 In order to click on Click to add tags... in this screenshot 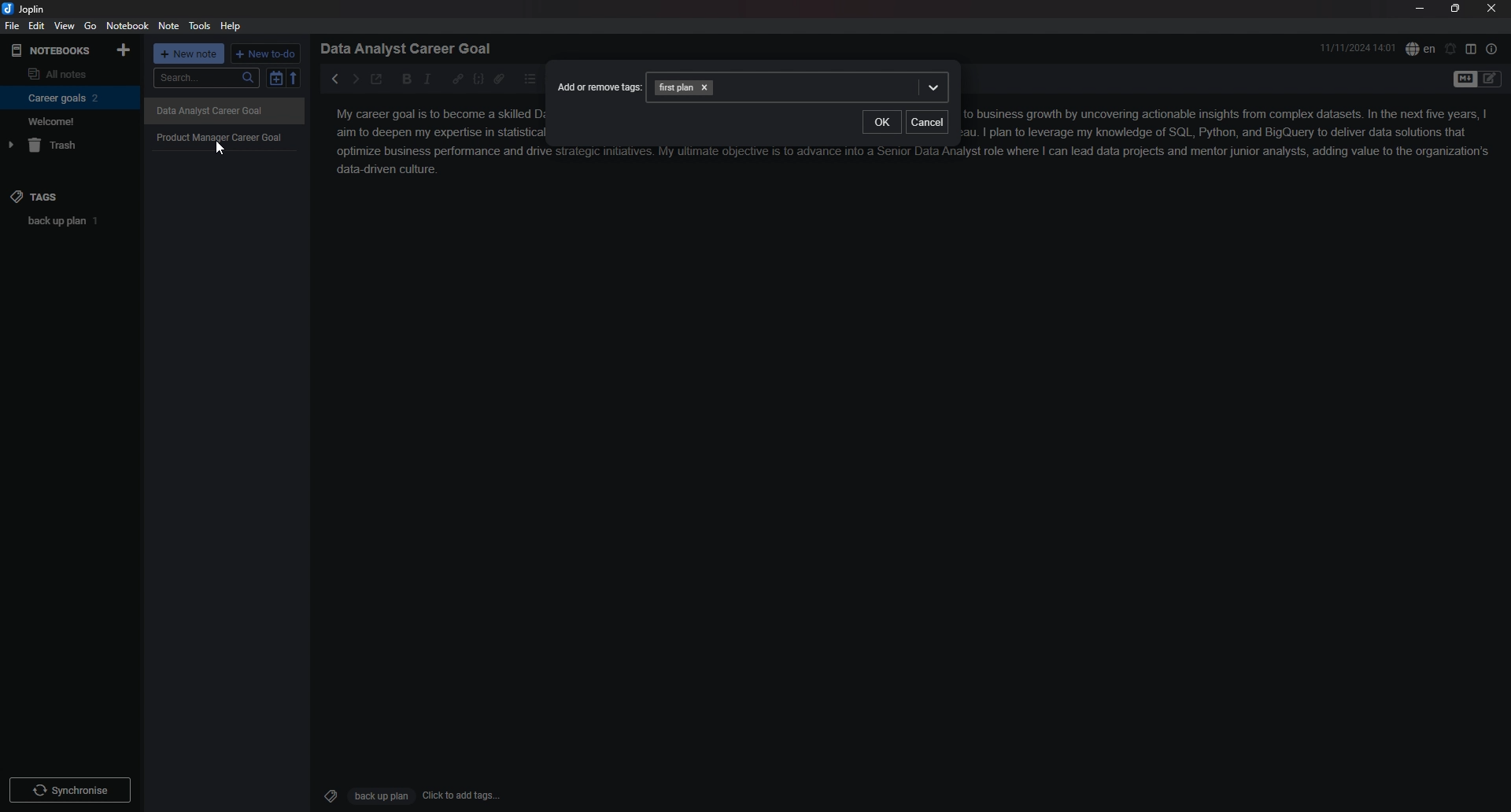, I will do `click(463, 795)`.